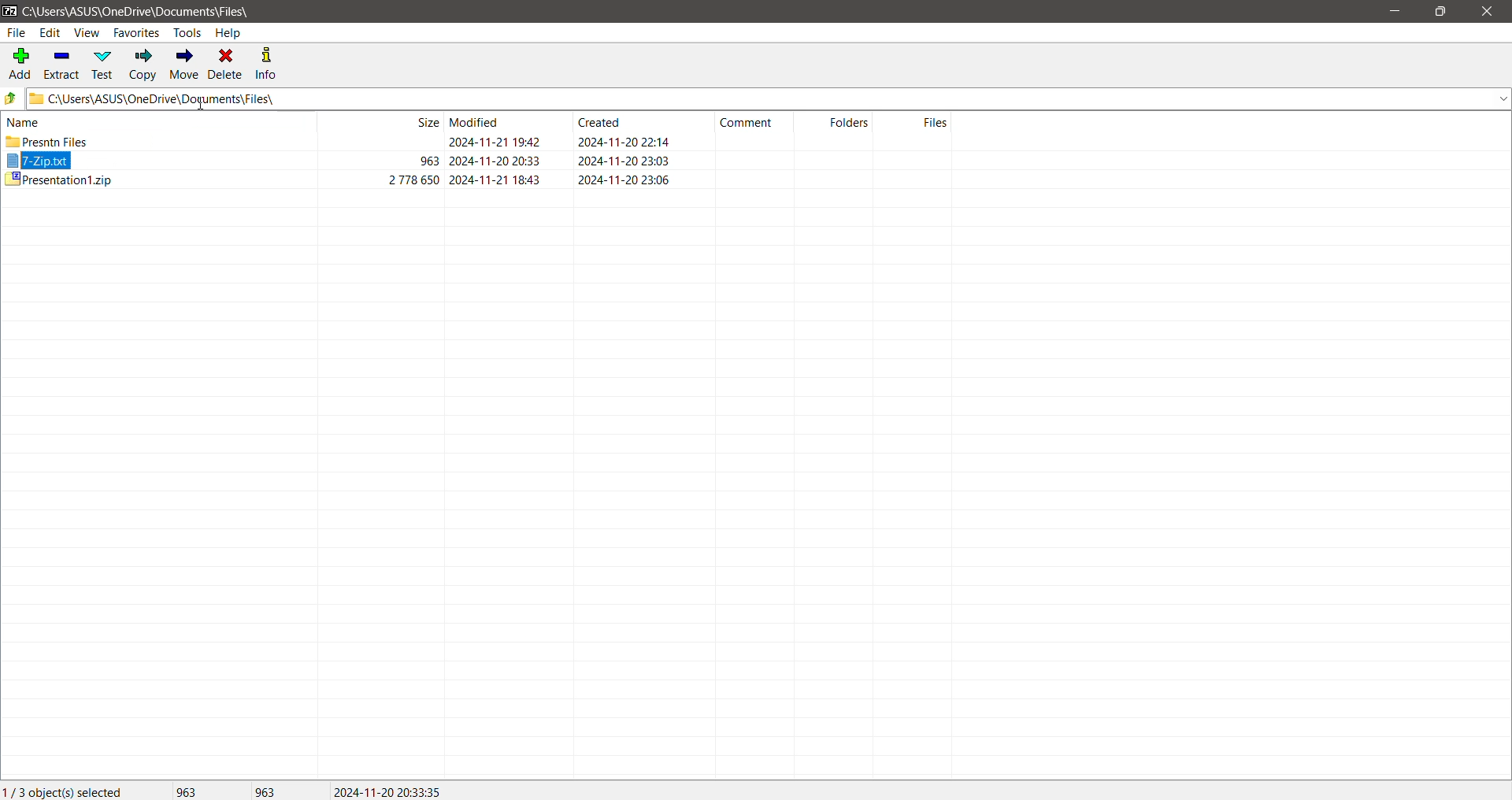  What do you see at coordinates (625, 180) in the screenshot?
I see `created date & time` at bounding box center [625, 180].